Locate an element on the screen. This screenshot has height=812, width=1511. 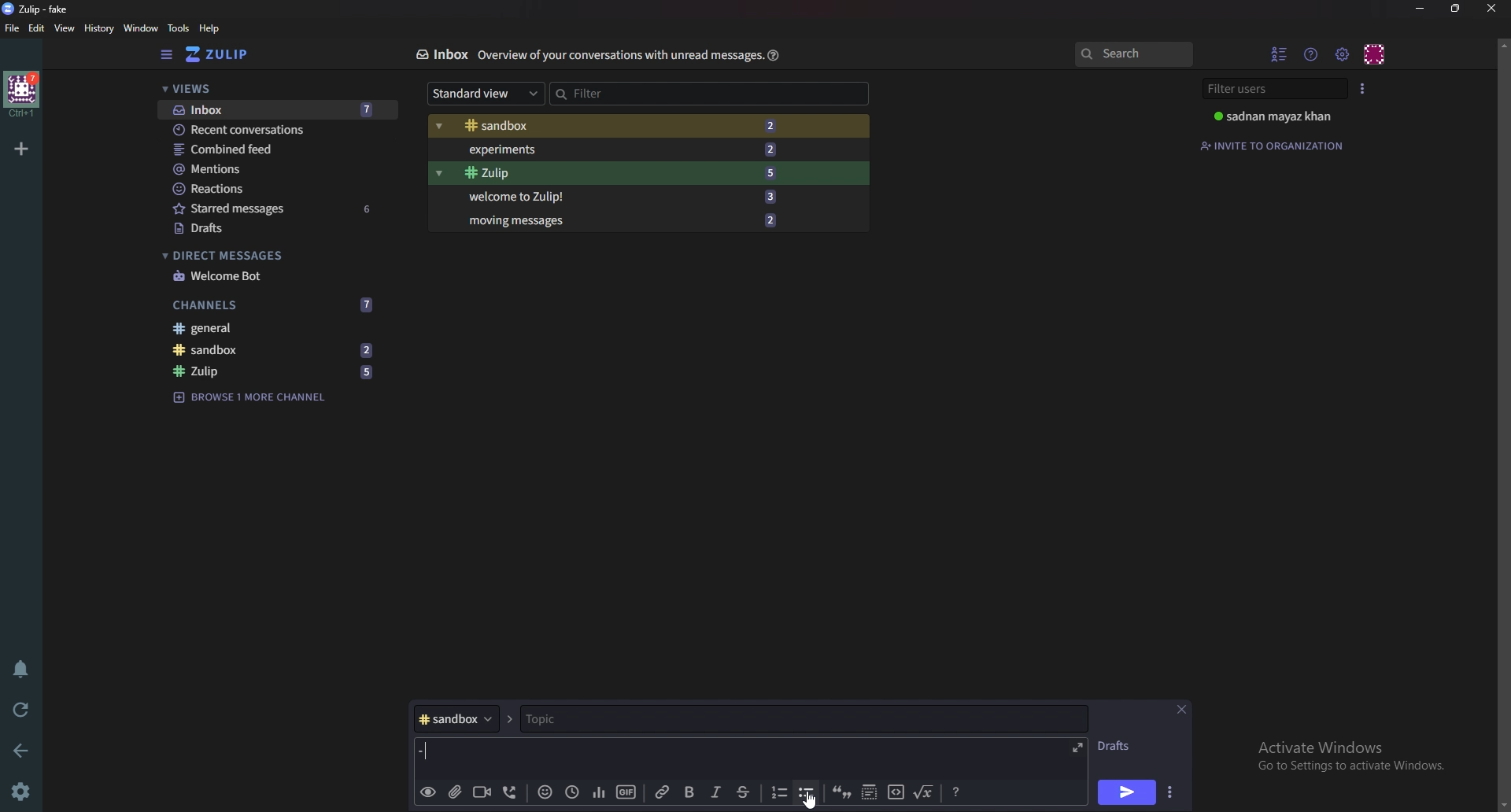
Hide user list is located at coordinates (1280, 54).